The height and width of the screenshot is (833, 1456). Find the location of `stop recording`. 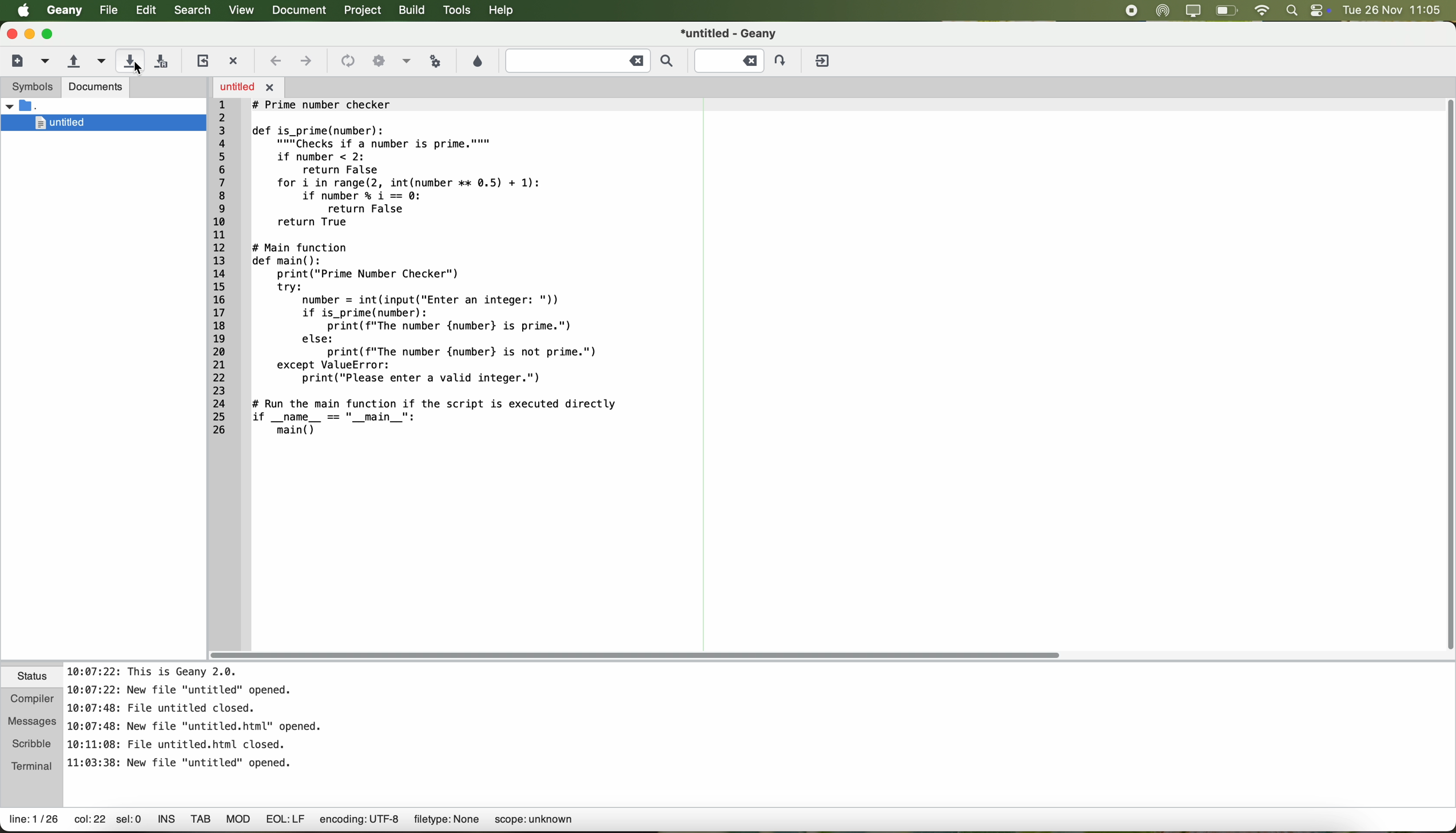

stop recording is located at coordinates (1131, 10).